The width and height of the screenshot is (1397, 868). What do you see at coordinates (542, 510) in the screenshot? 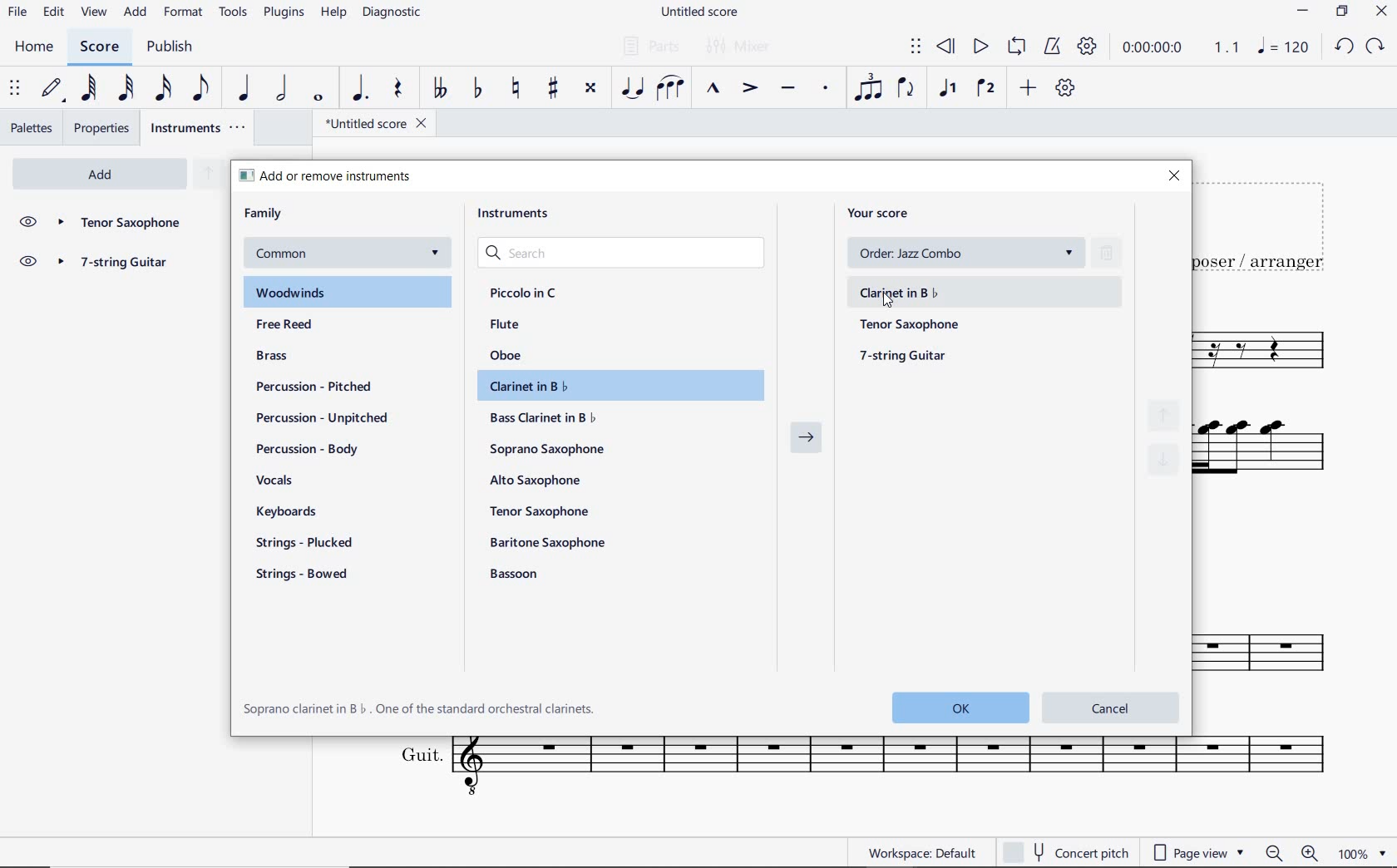
I see `tenor saxophone` at bounding box center [542, 510].